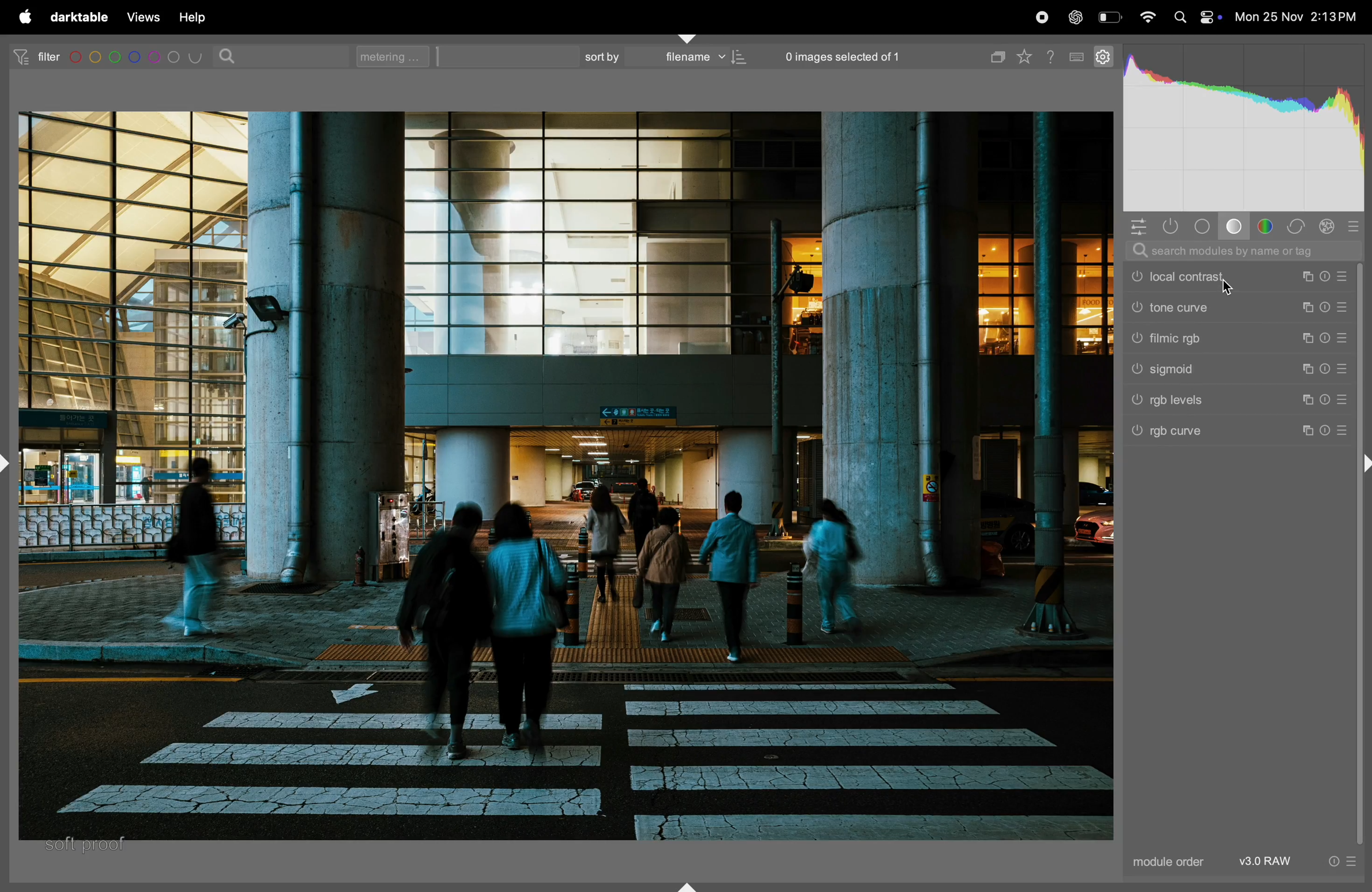 The height and width of the screenshot is (892, 1372). Describe the element at coordinates (1227, 285) in the screenshot. I see `cursor` at that location.